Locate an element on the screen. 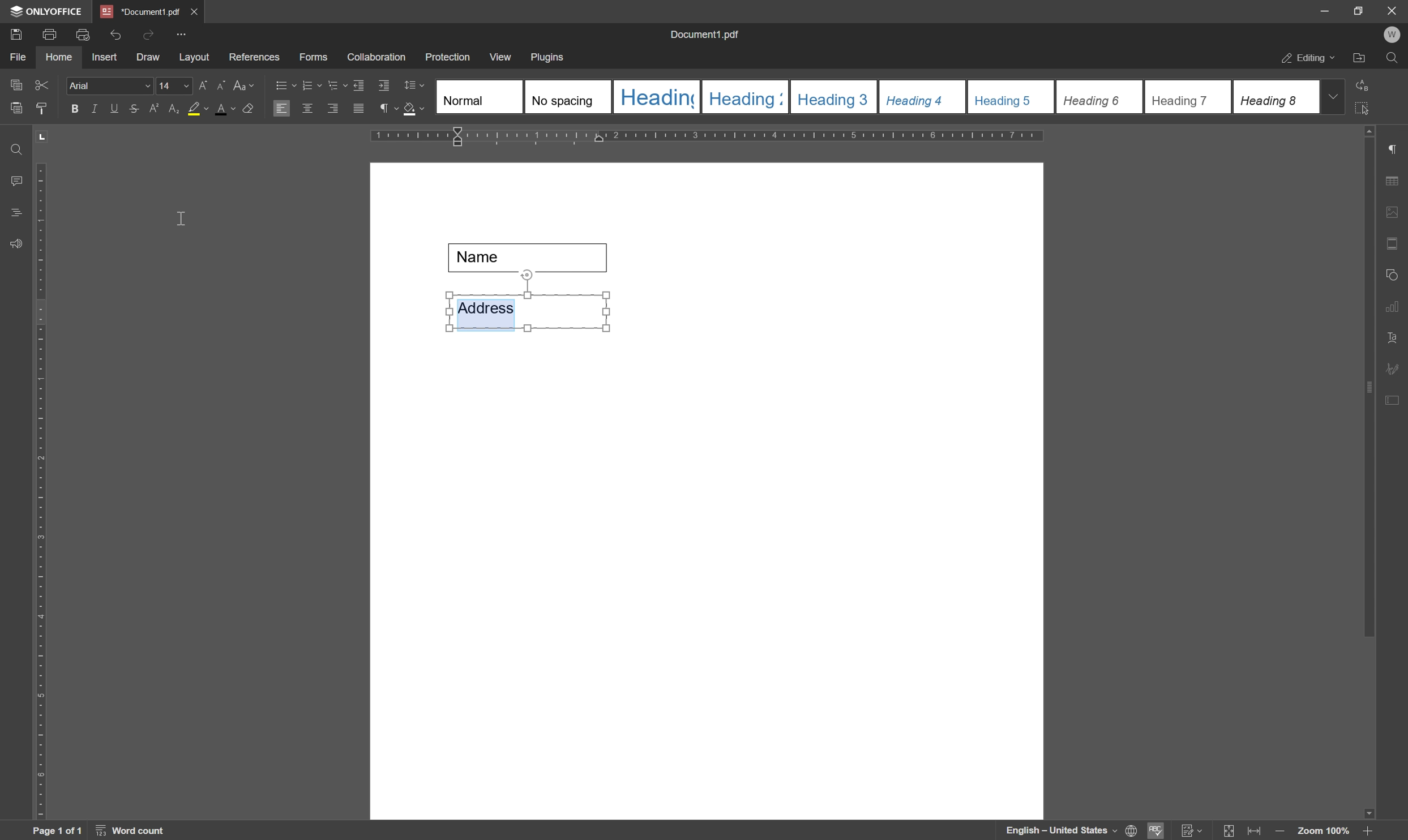  font size is located at coordinates (228, 109).